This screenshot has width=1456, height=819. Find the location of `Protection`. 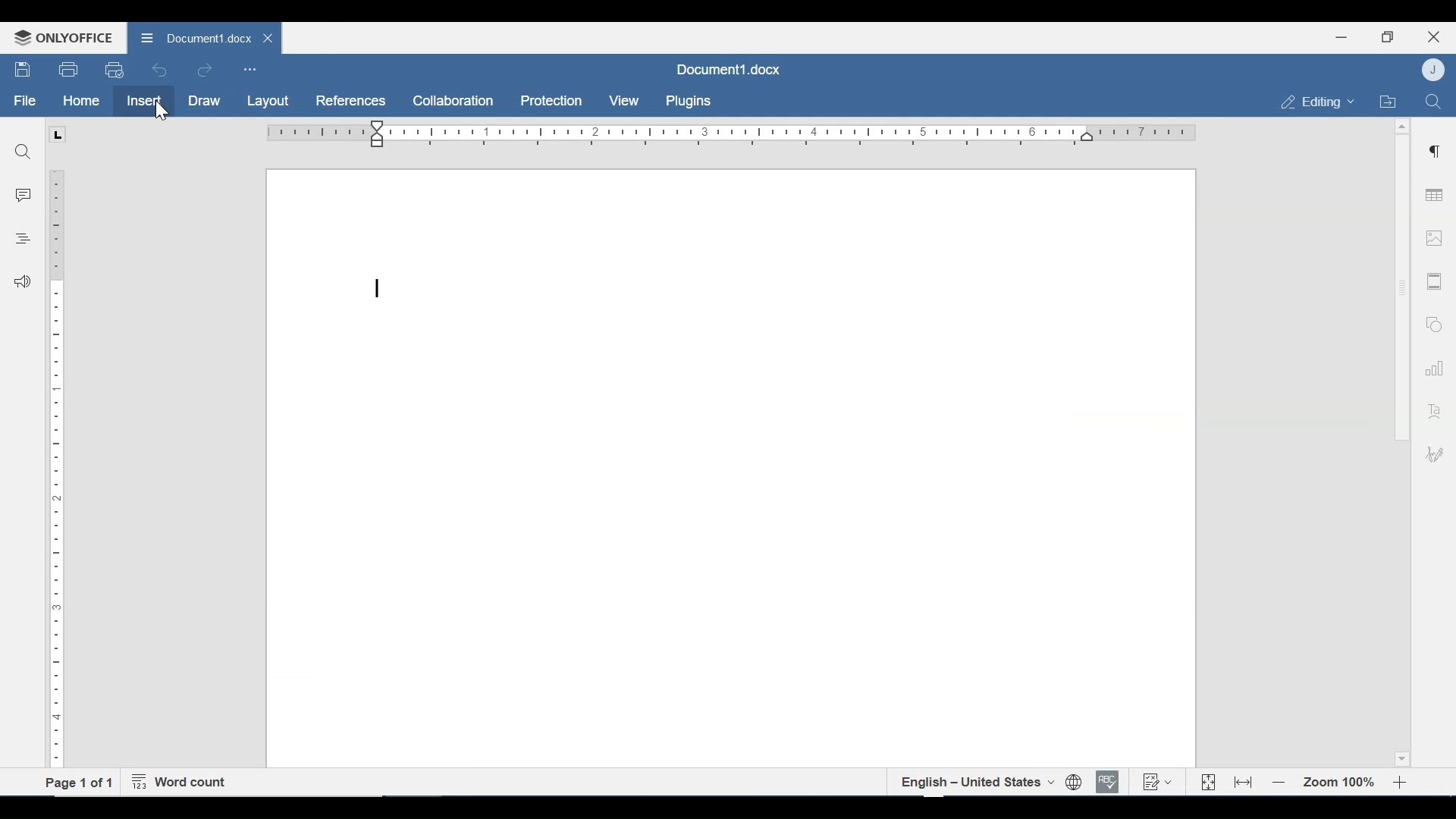

Protection is located at coordinates (551, 102).